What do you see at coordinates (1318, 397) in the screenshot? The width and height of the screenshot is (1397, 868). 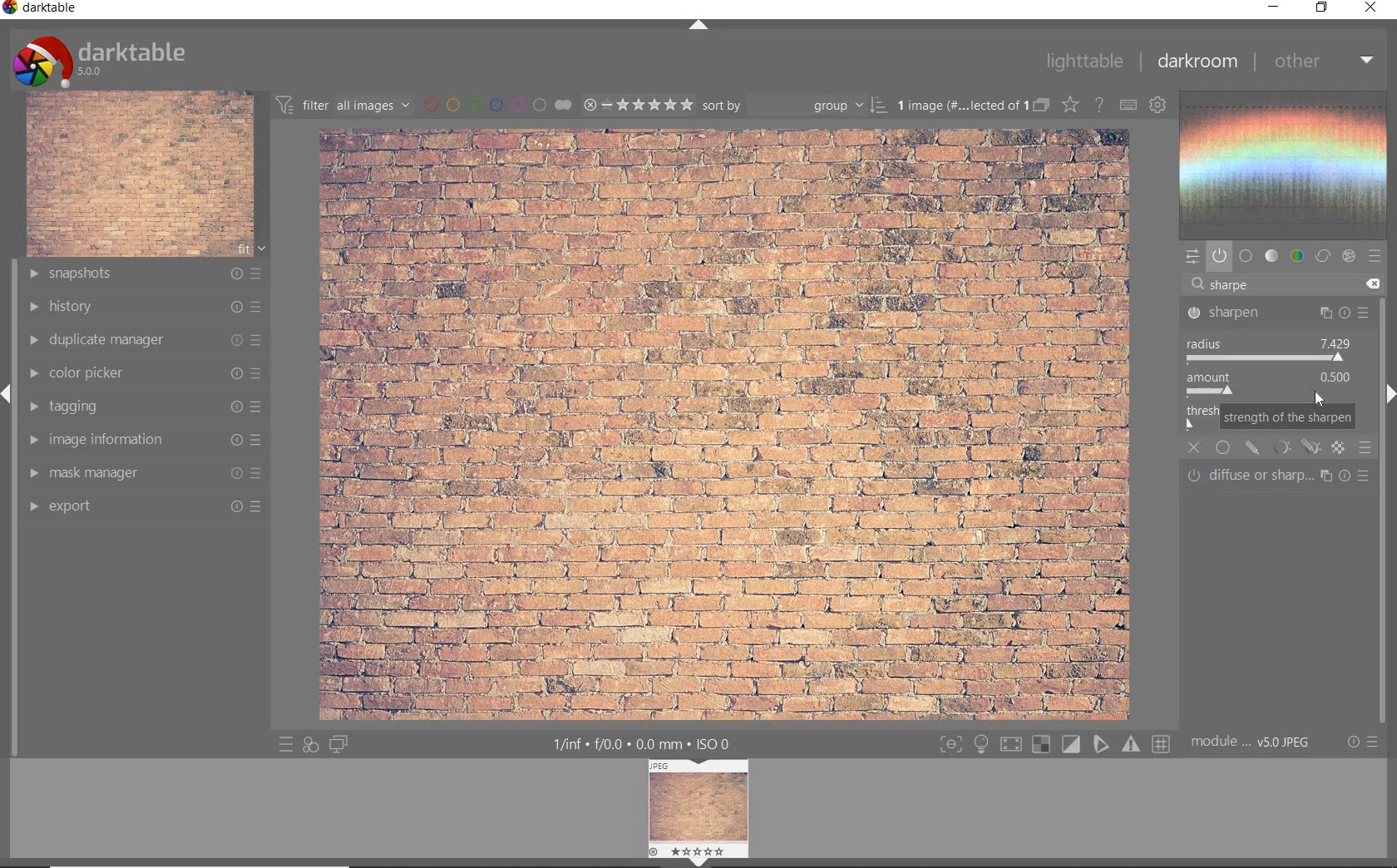 I see `CURSOR POSITION` at bounding box center [1318, 397].